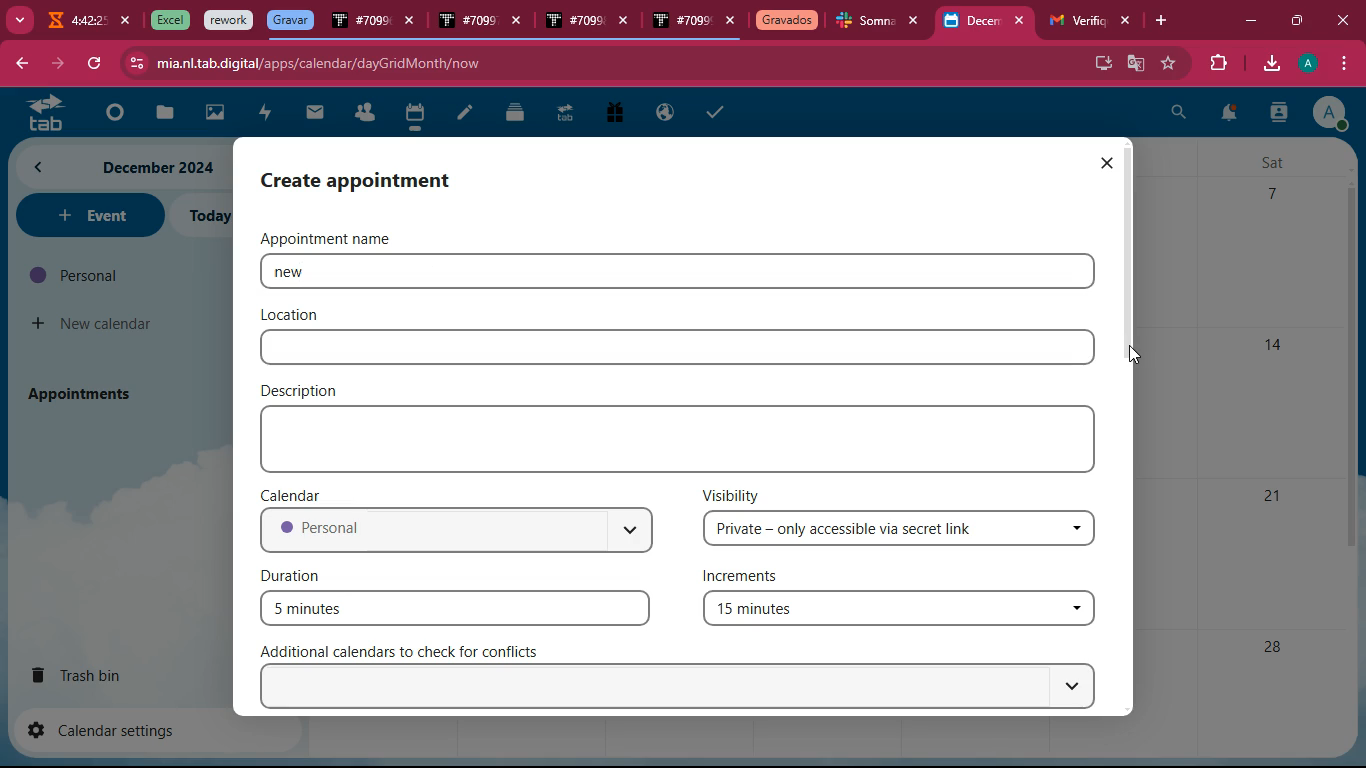  Describe the element at coordinates (88, 215) in the screenshot. I see `event` at that location.